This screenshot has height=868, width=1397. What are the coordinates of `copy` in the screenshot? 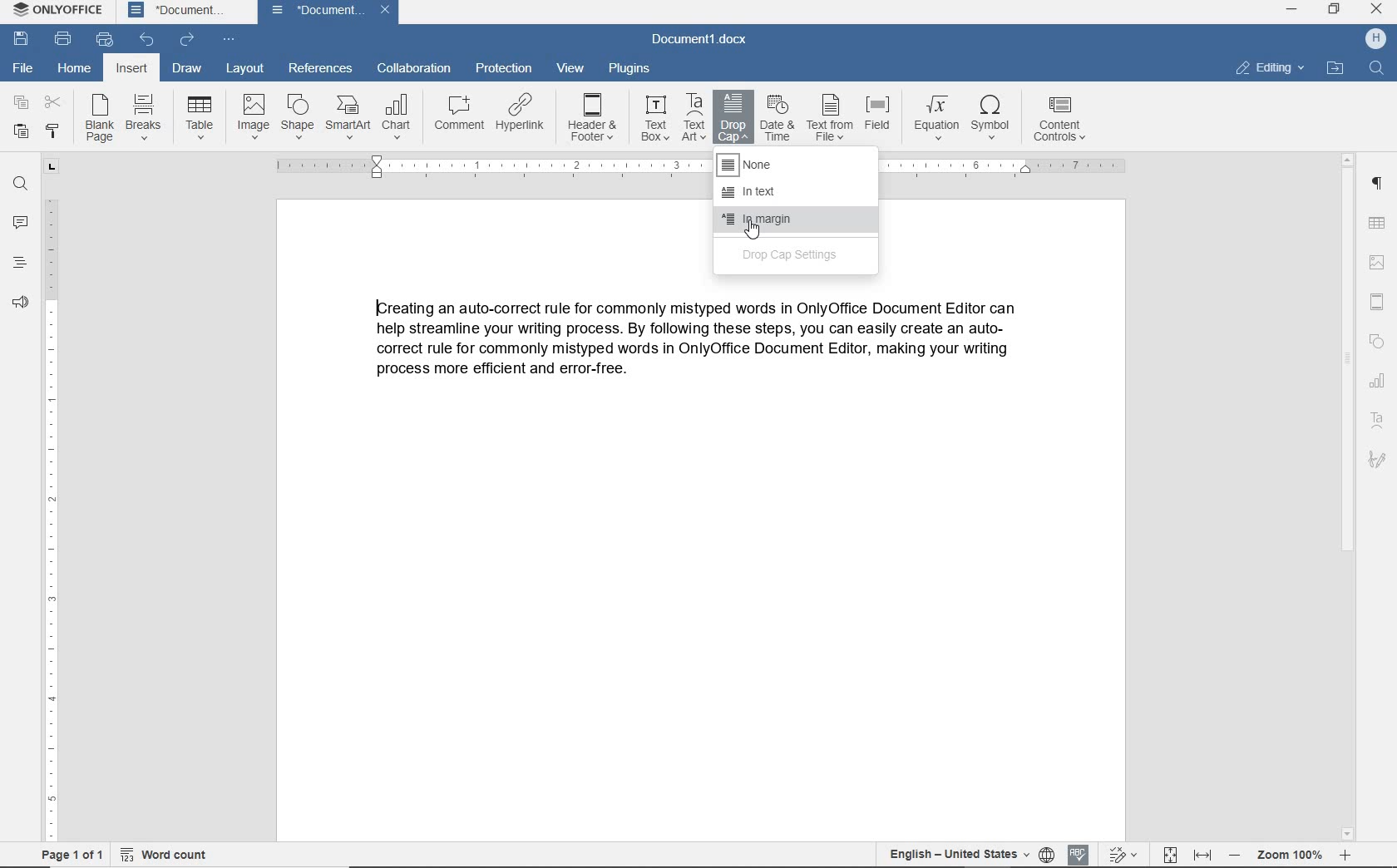 It's located at (20, 104).